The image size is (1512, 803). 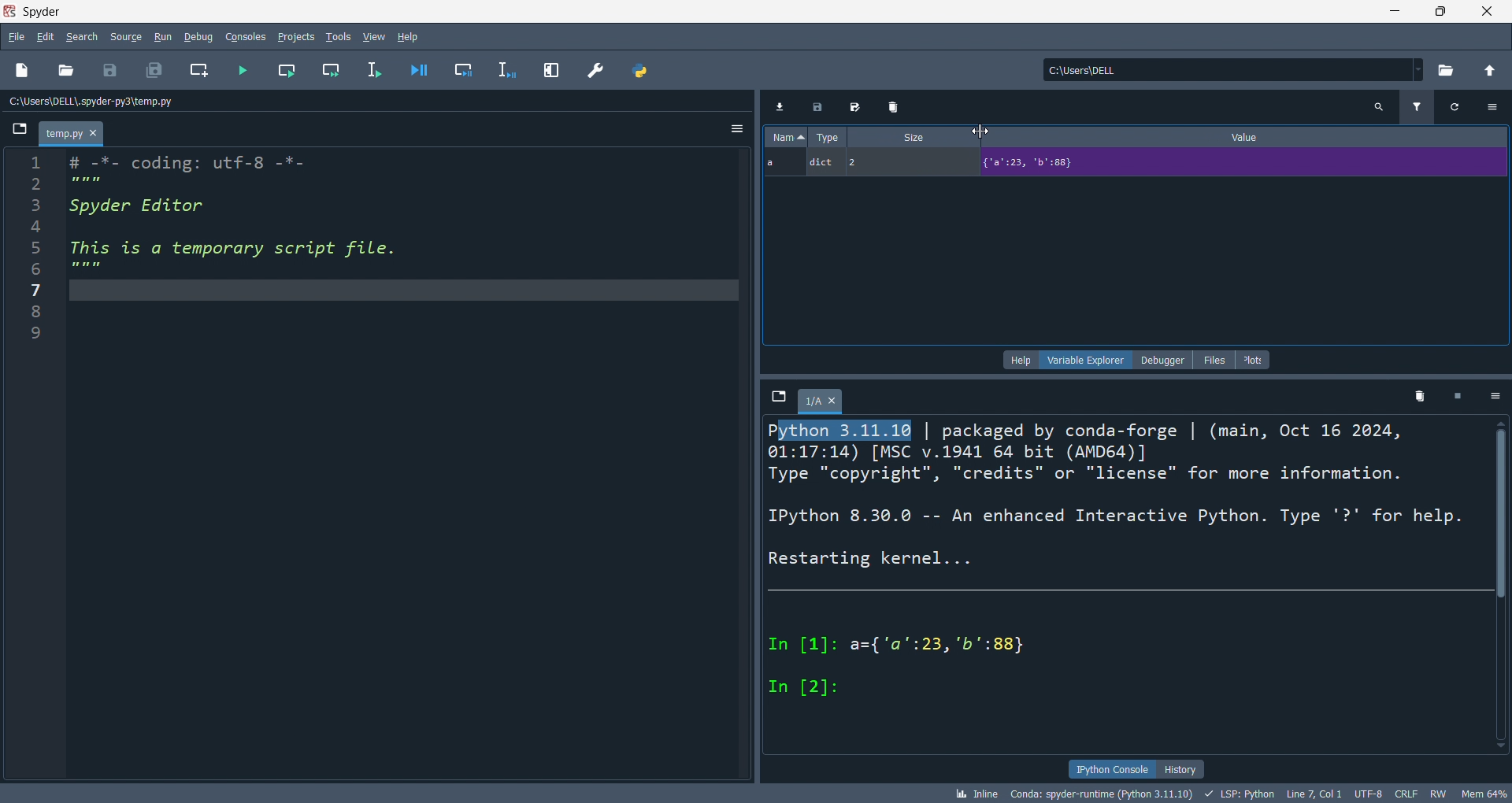 I want to click on title bar, so click(x=684, y=12).